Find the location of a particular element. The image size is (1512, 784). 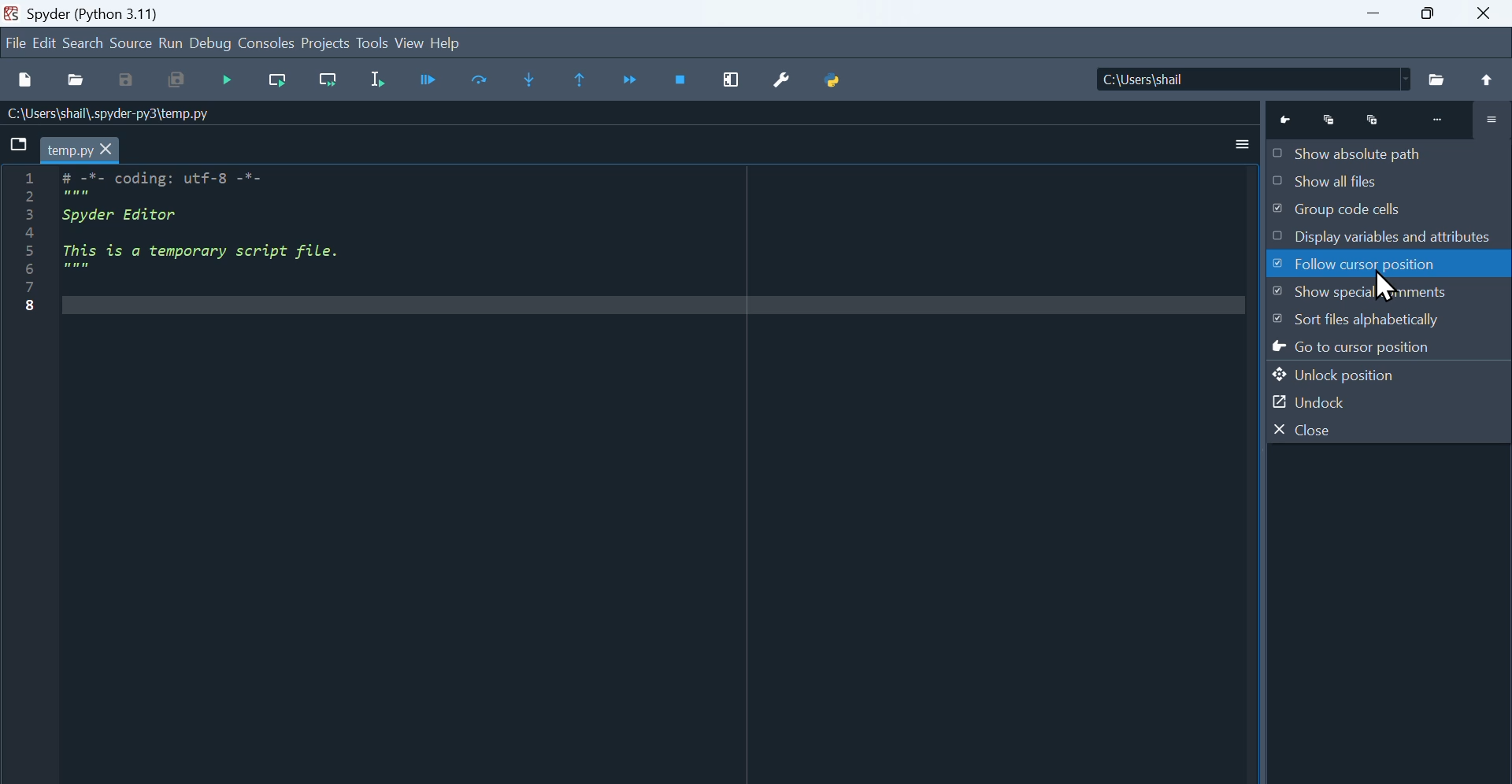

Show special comments is located at coordinates (1382, 294).